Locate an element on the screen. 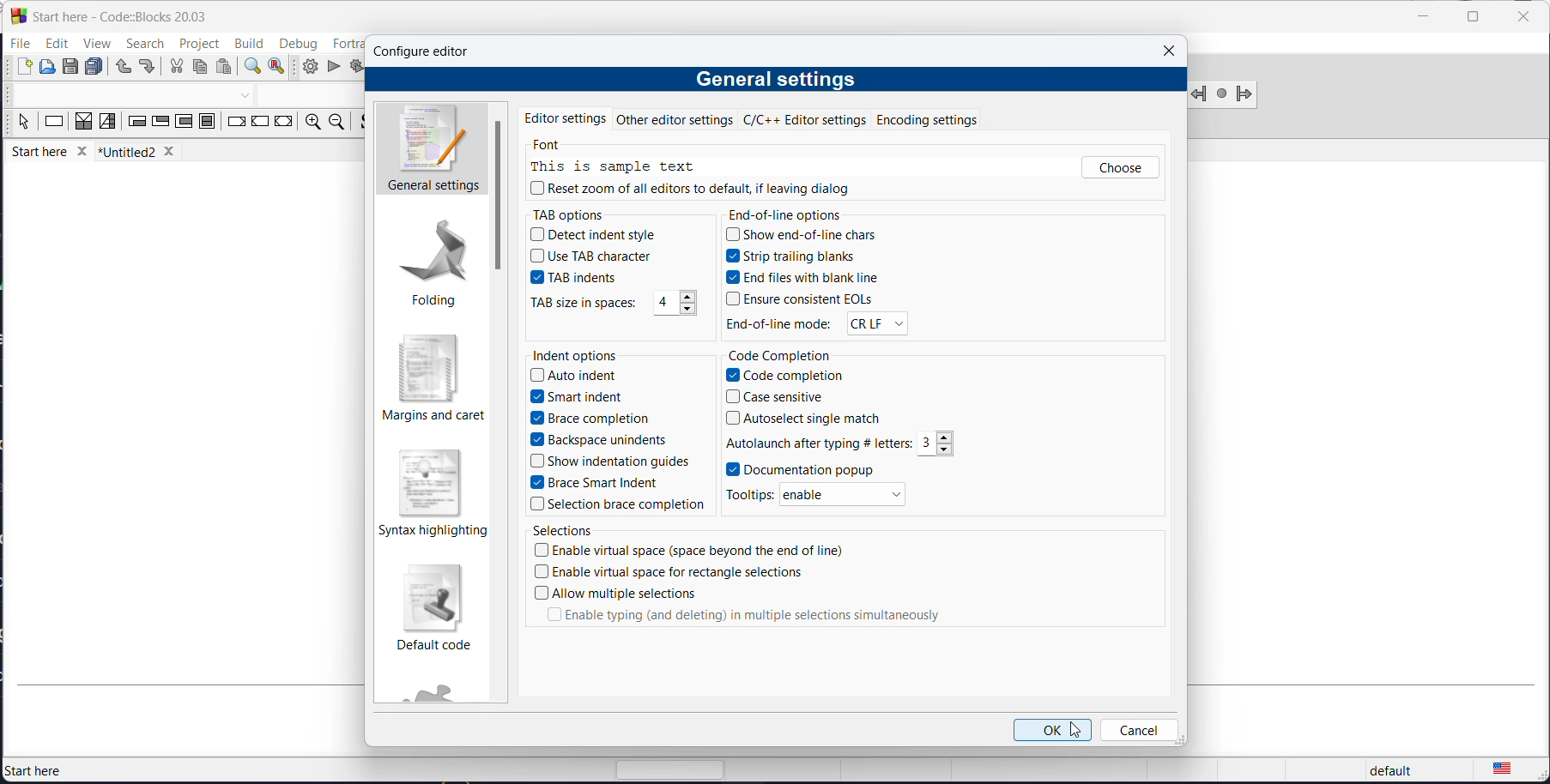  jump back is located at coordinates (1200, 94).